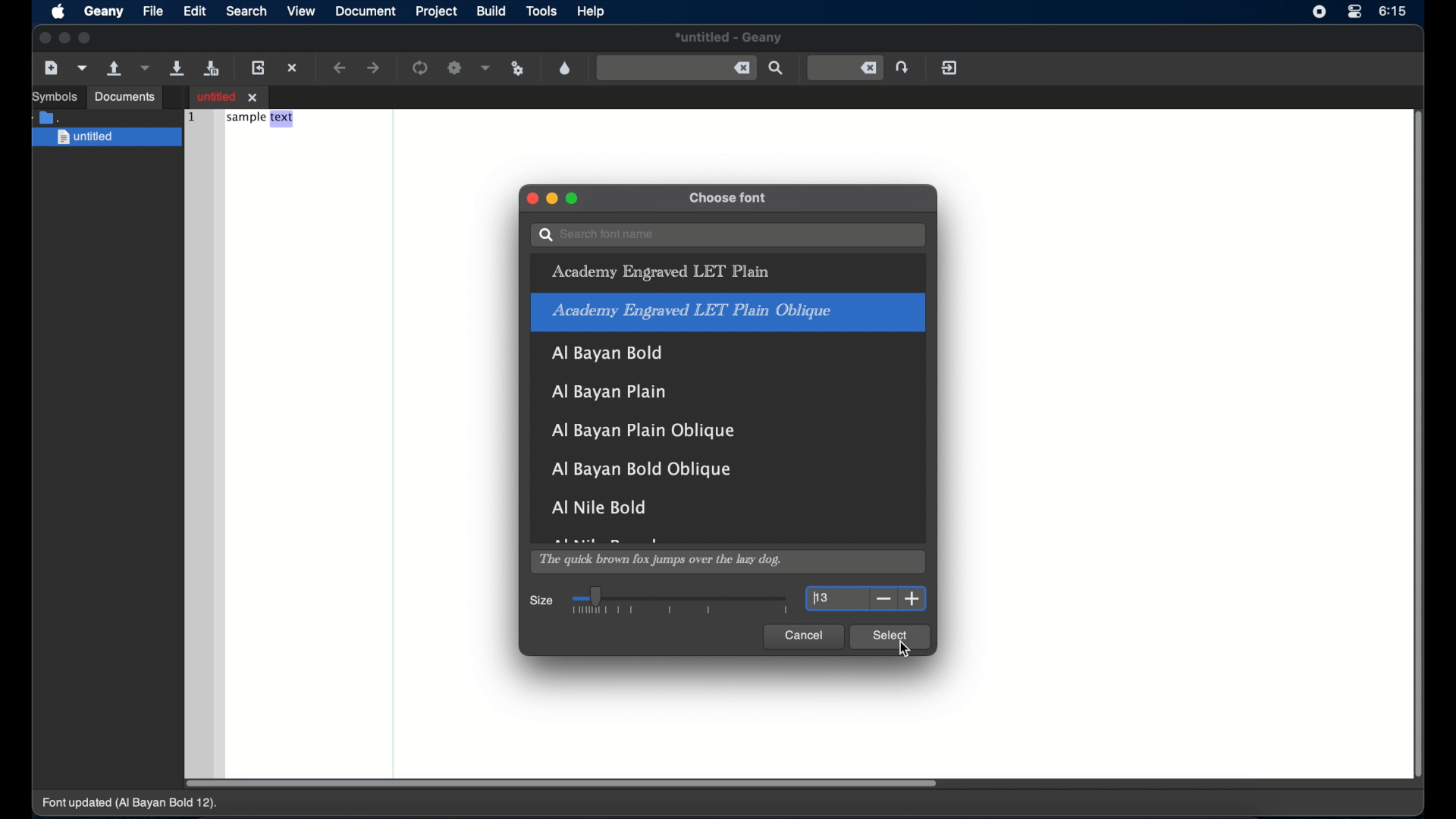  I want to click on documents, so click(49, 116).